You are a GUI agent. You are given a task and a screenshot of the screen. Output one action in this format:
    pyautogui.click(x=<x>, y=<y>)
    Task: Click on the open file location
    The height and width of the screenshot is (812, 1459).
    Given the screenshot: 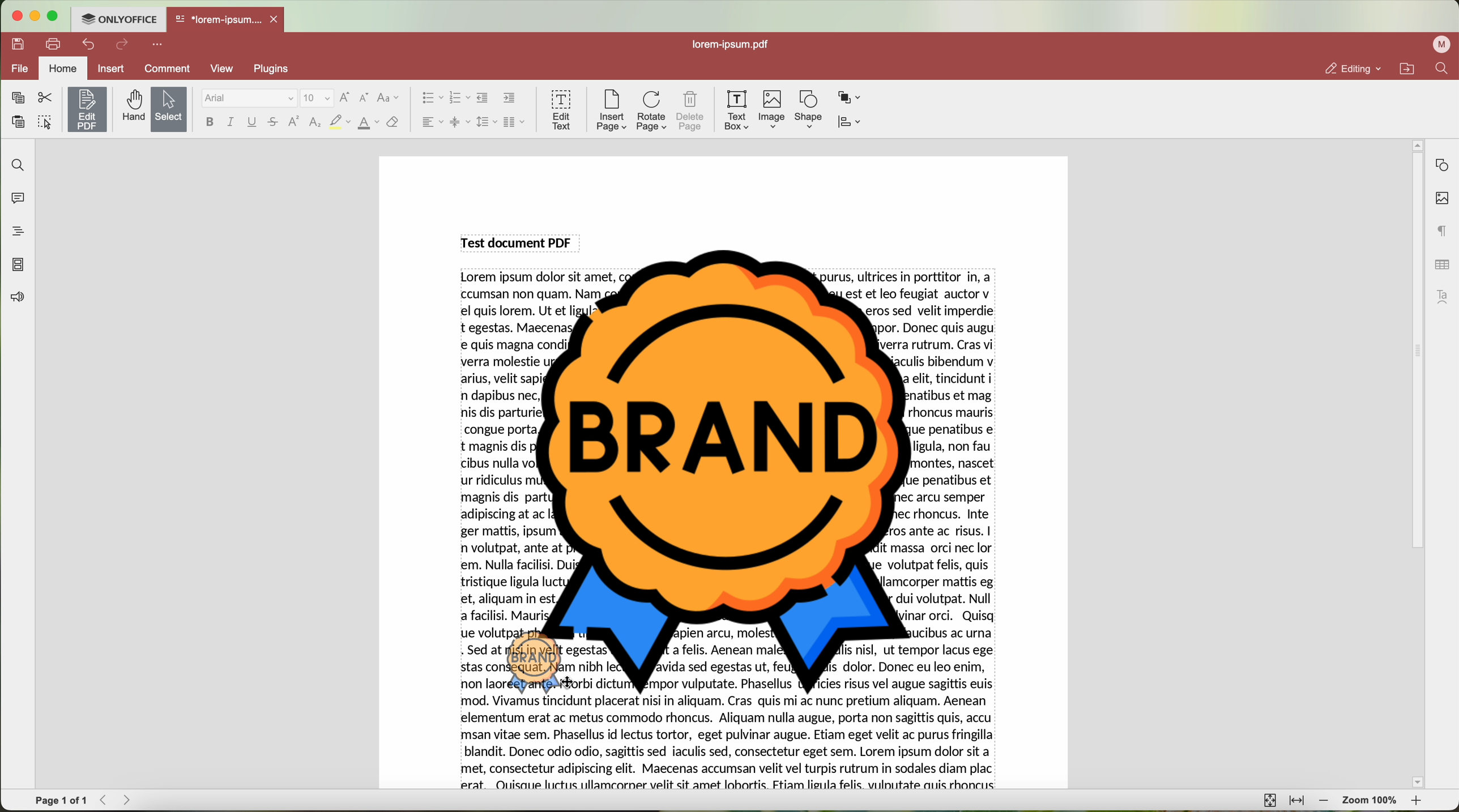 What is the action you would take?
    pyautogui.click(x=1410, y=69)
    